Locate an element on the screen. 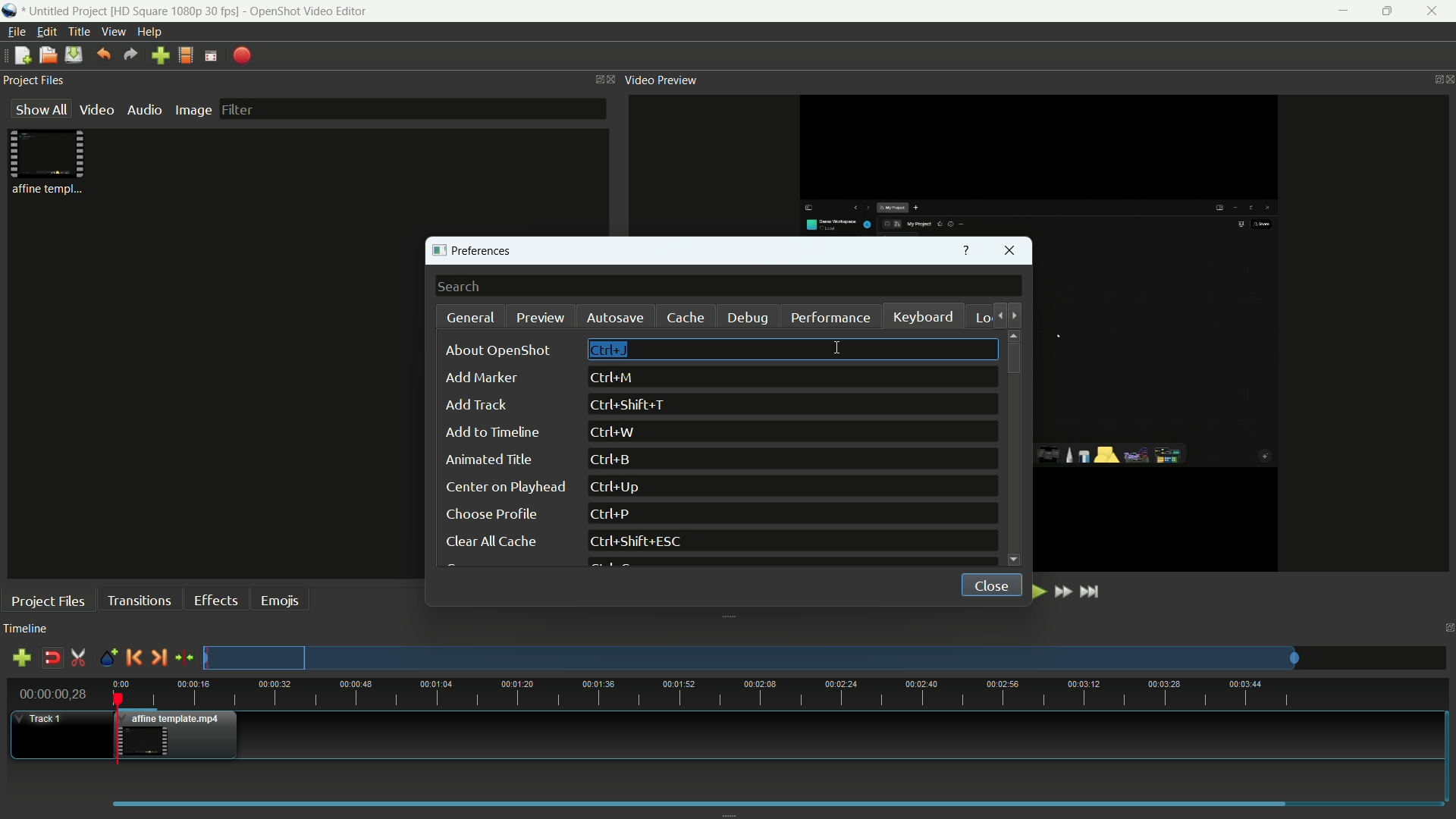 Image resolution: width=1456 pixels, height=819 pixels. view menu is located at coordinates (114, 32).